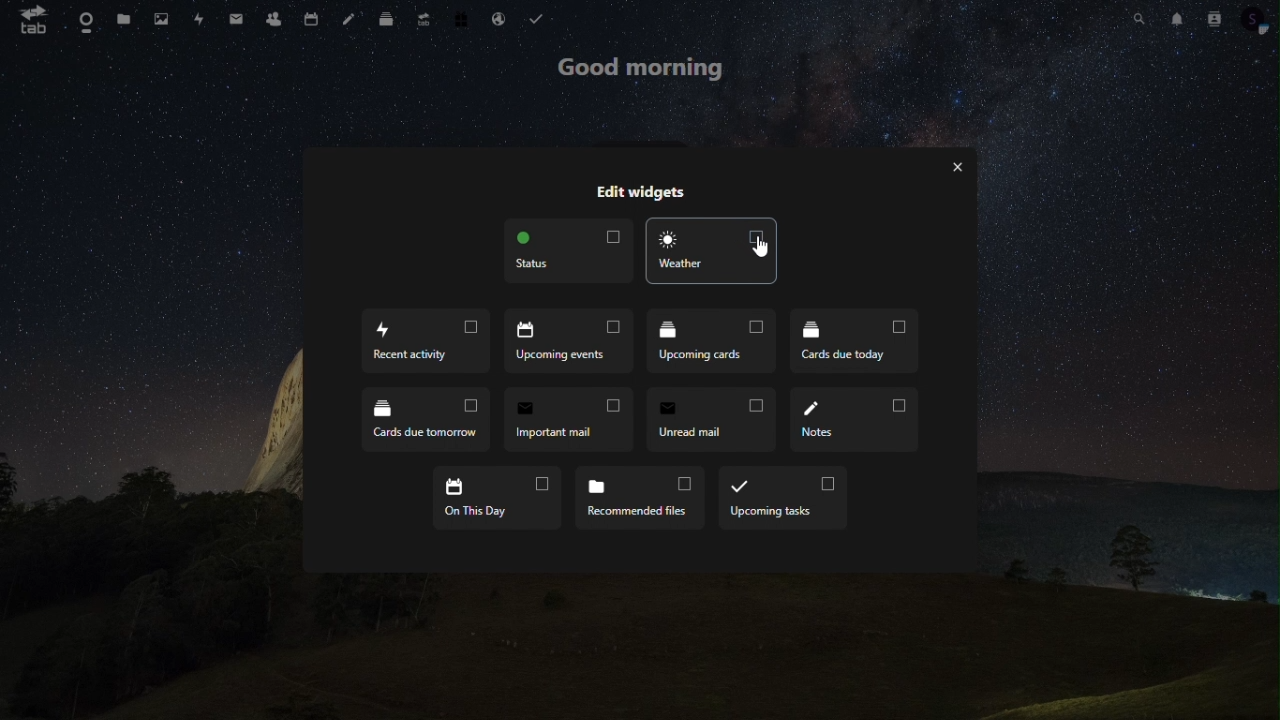 The height and width of the screenshot is (720, 1280). What do you see at coordinates (238, 20) in the screenshot?
I see `message` at bounding box center [238, 20].